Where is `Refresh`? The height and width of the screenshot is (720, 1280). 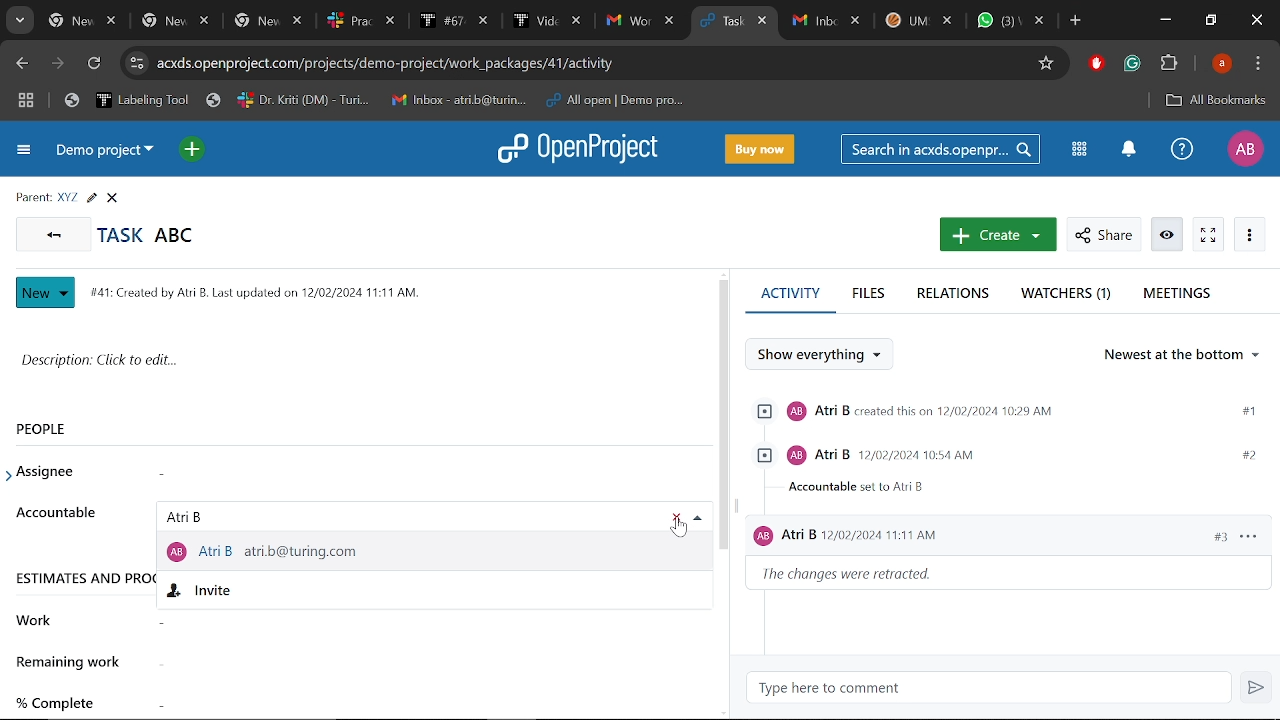 Refresh is located at coordinates (98, 64).